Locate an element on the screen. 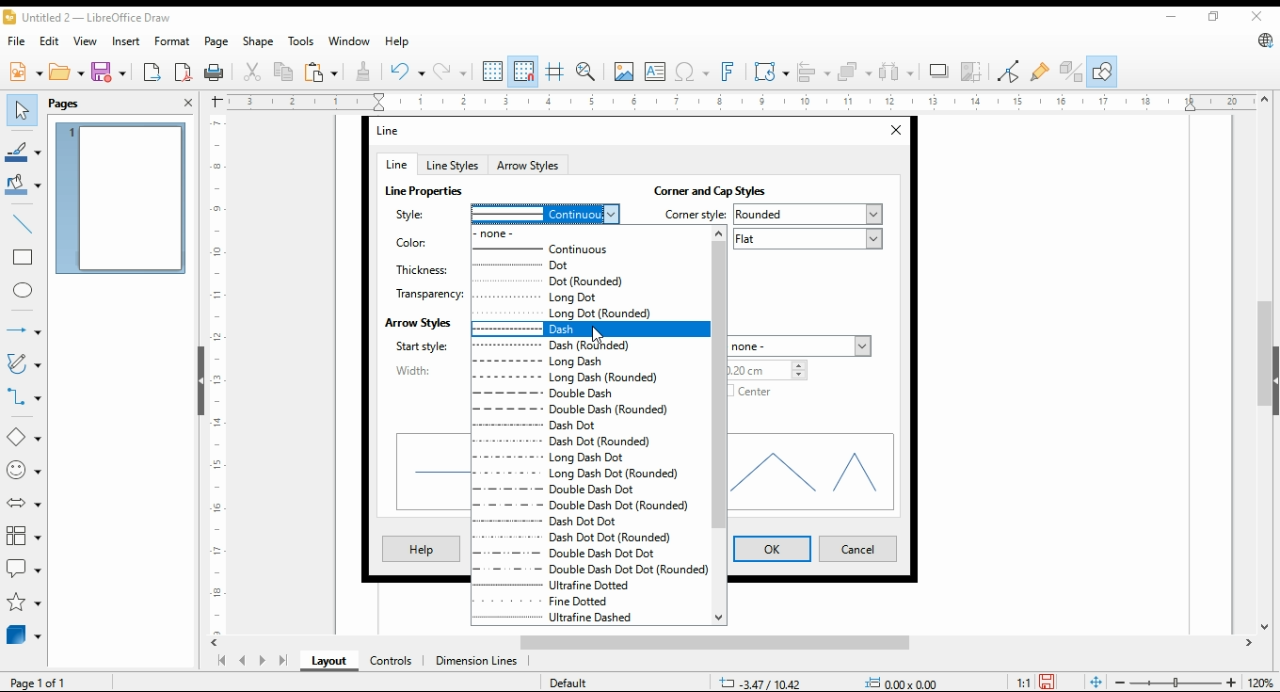  horizontal scale is located at coordinates (739, 102).